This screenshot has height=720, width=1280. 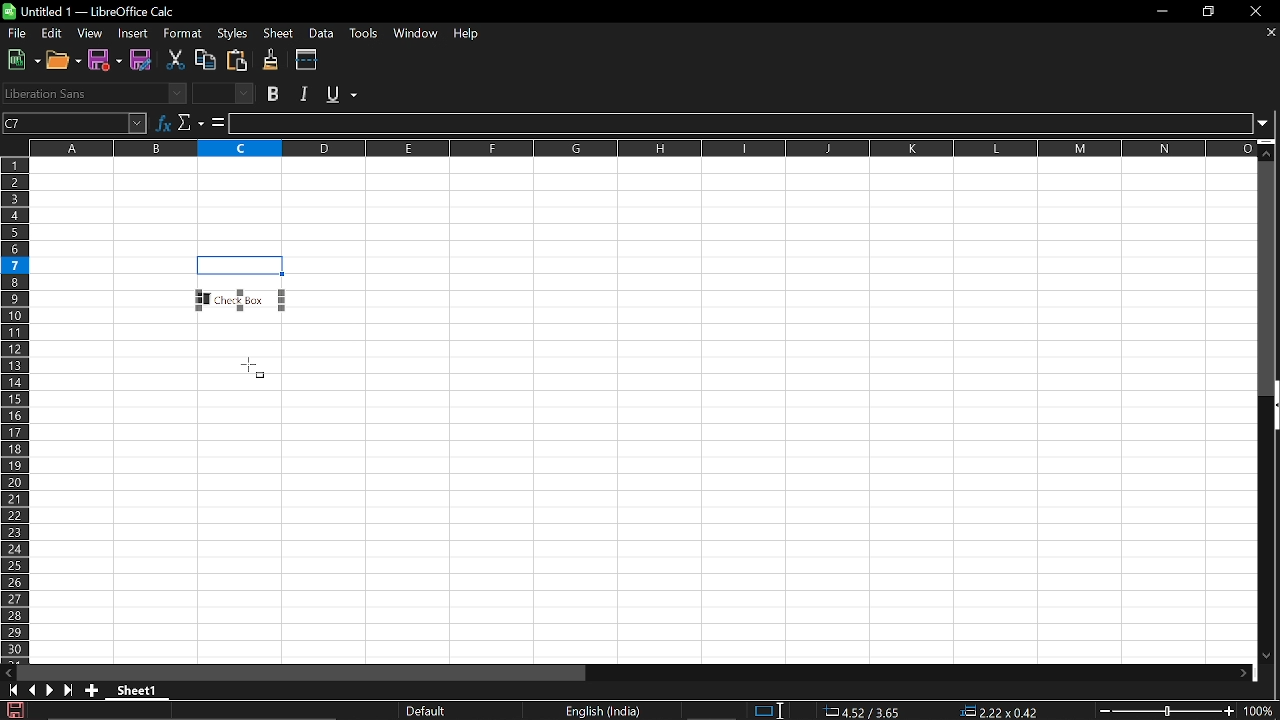 What do you see at coordinates (321, 33) in the screenshot?
I see `Data` at bounding box center [321, 33].